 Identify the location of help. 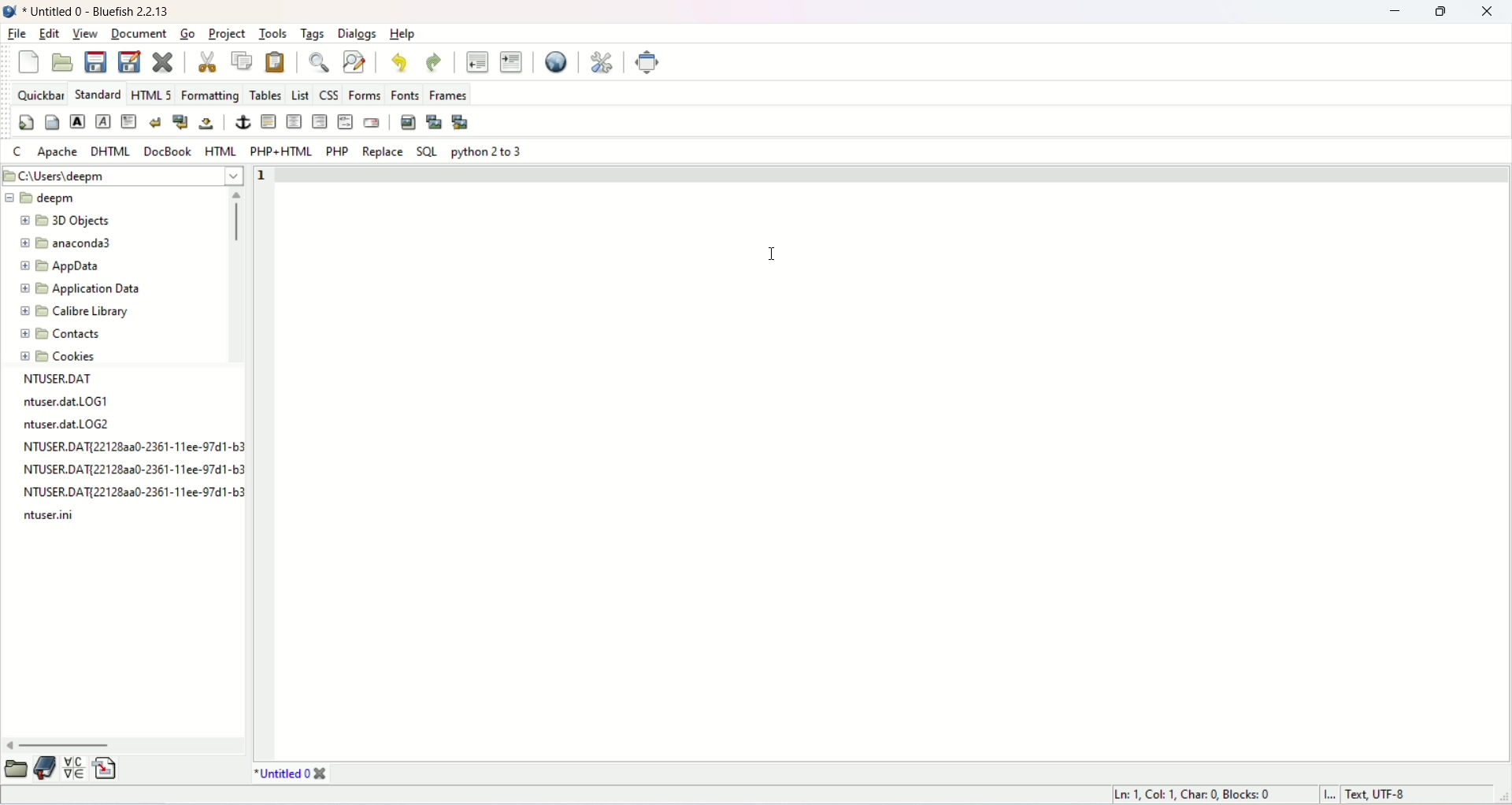
(404, 34).